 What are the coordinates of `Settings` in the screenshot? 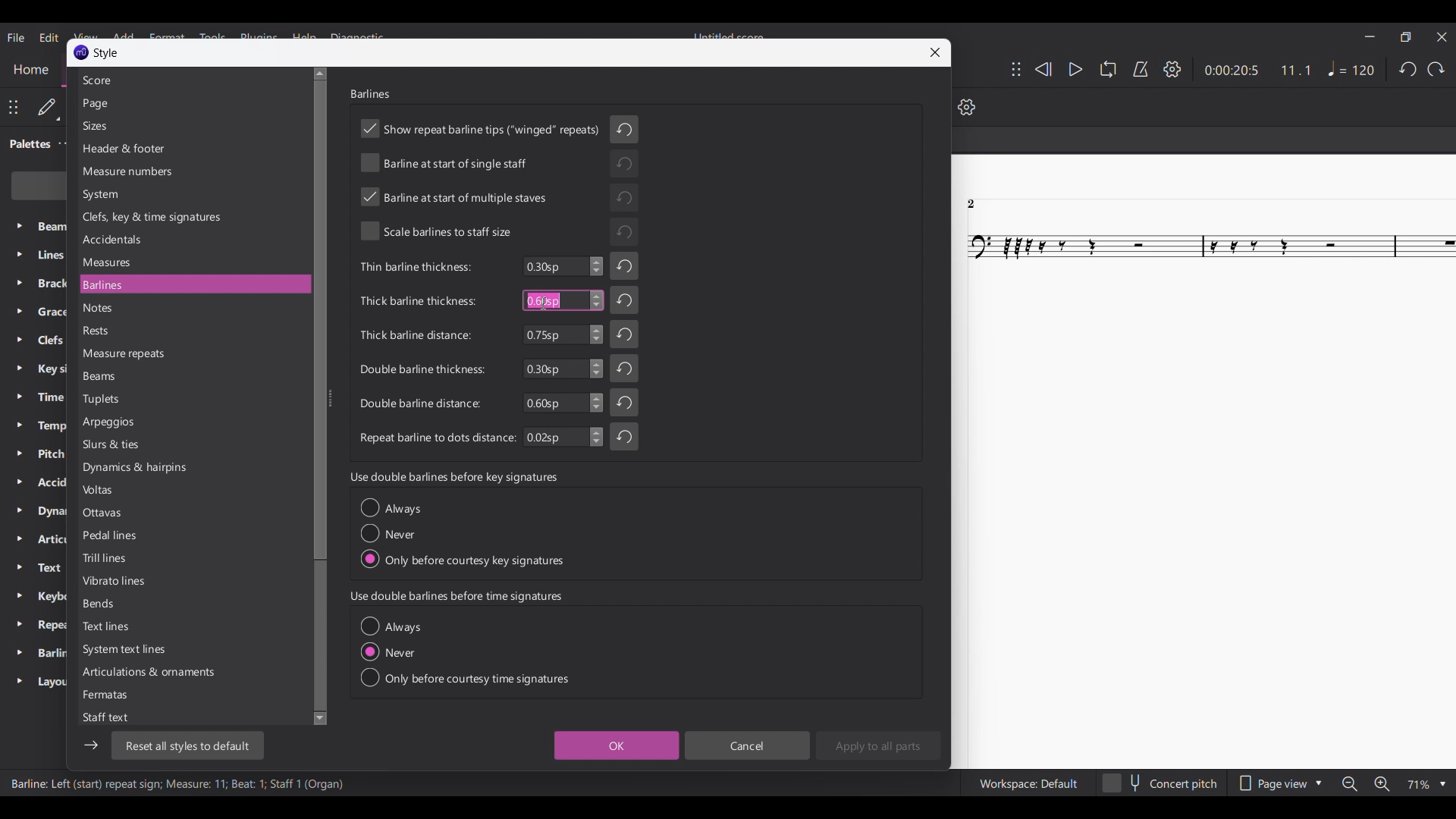 It's located at (967, 106).